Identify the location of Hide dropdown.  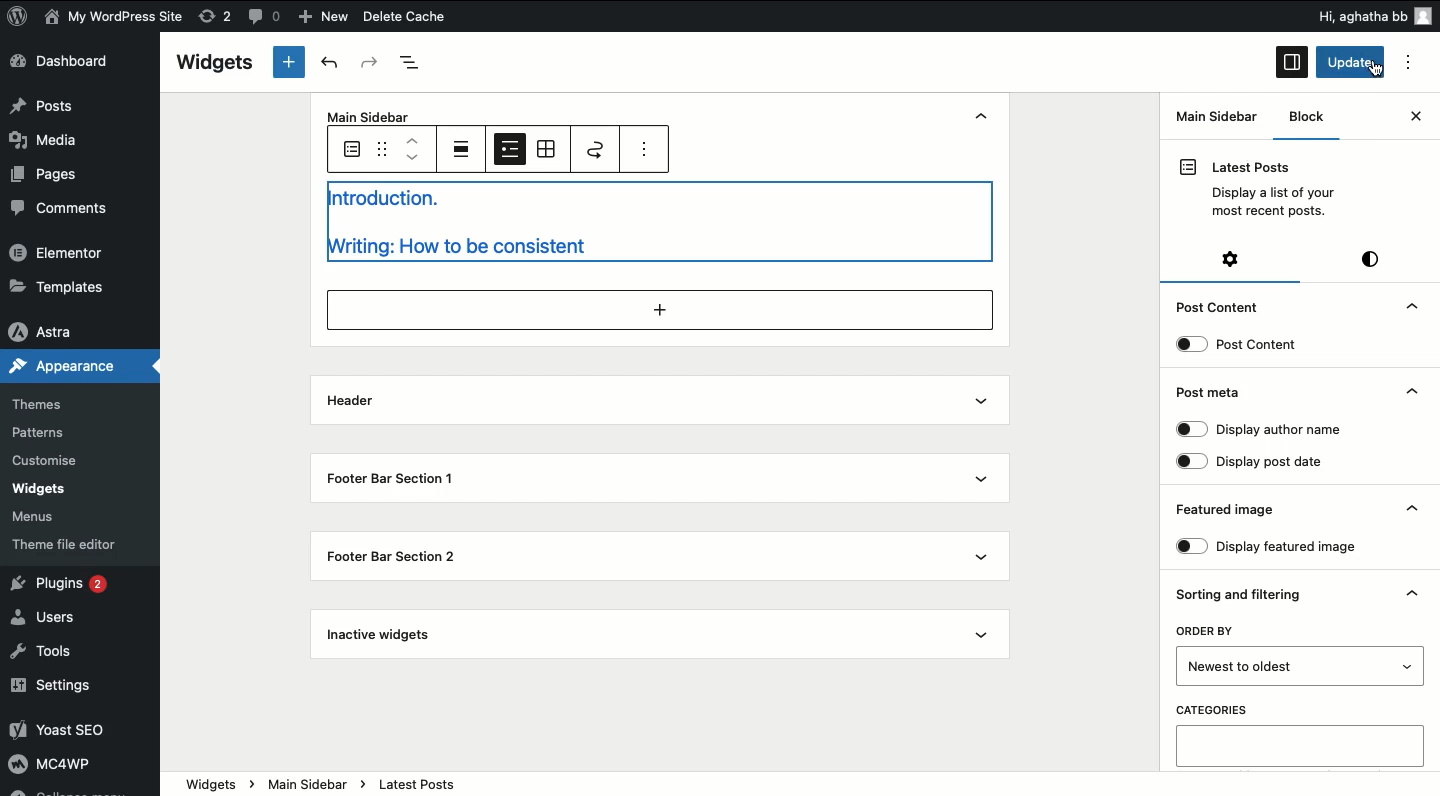
(1409, 449).